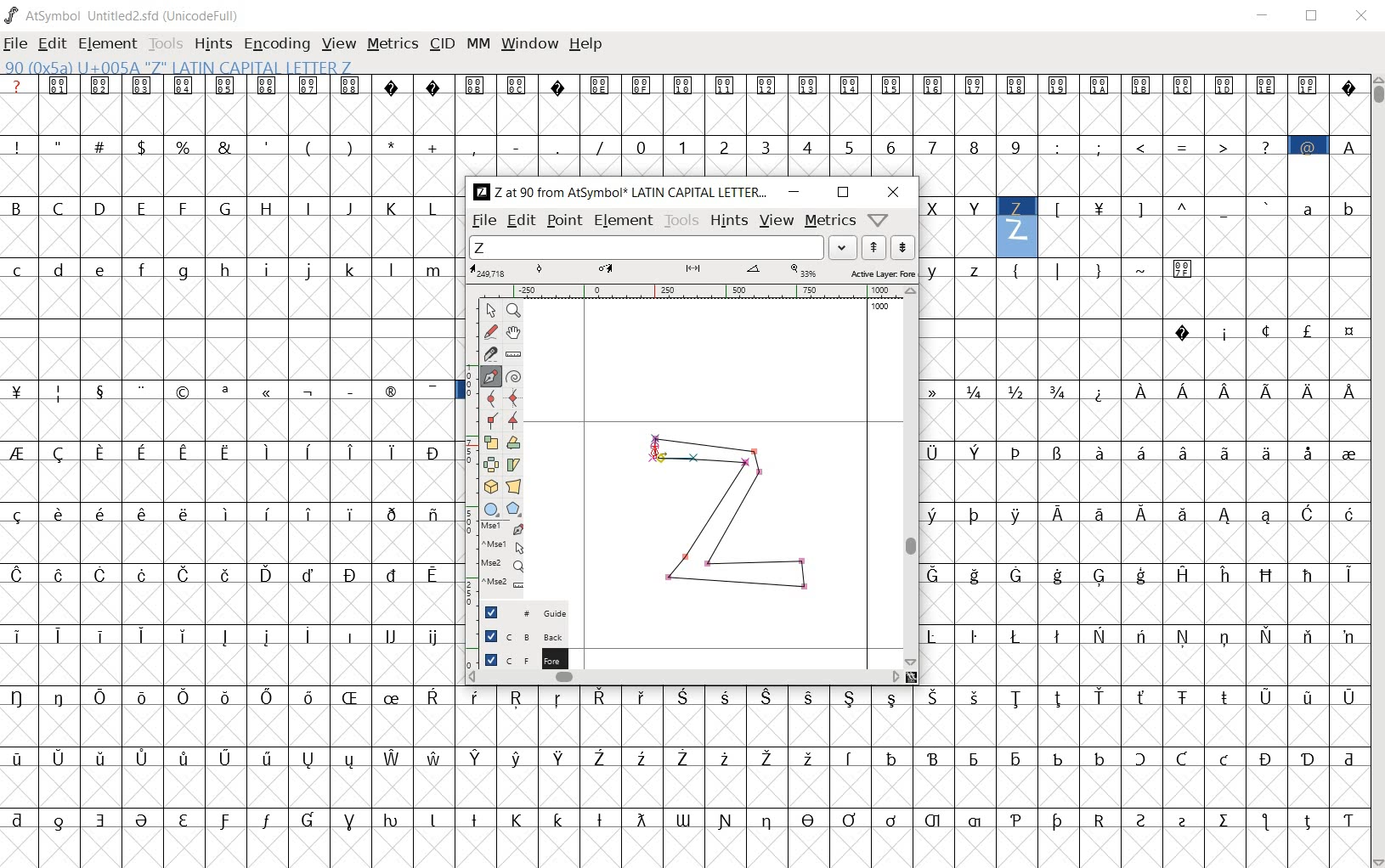 The image size is (1385, 868). I want to click on skew the selection, so click(513, 464).